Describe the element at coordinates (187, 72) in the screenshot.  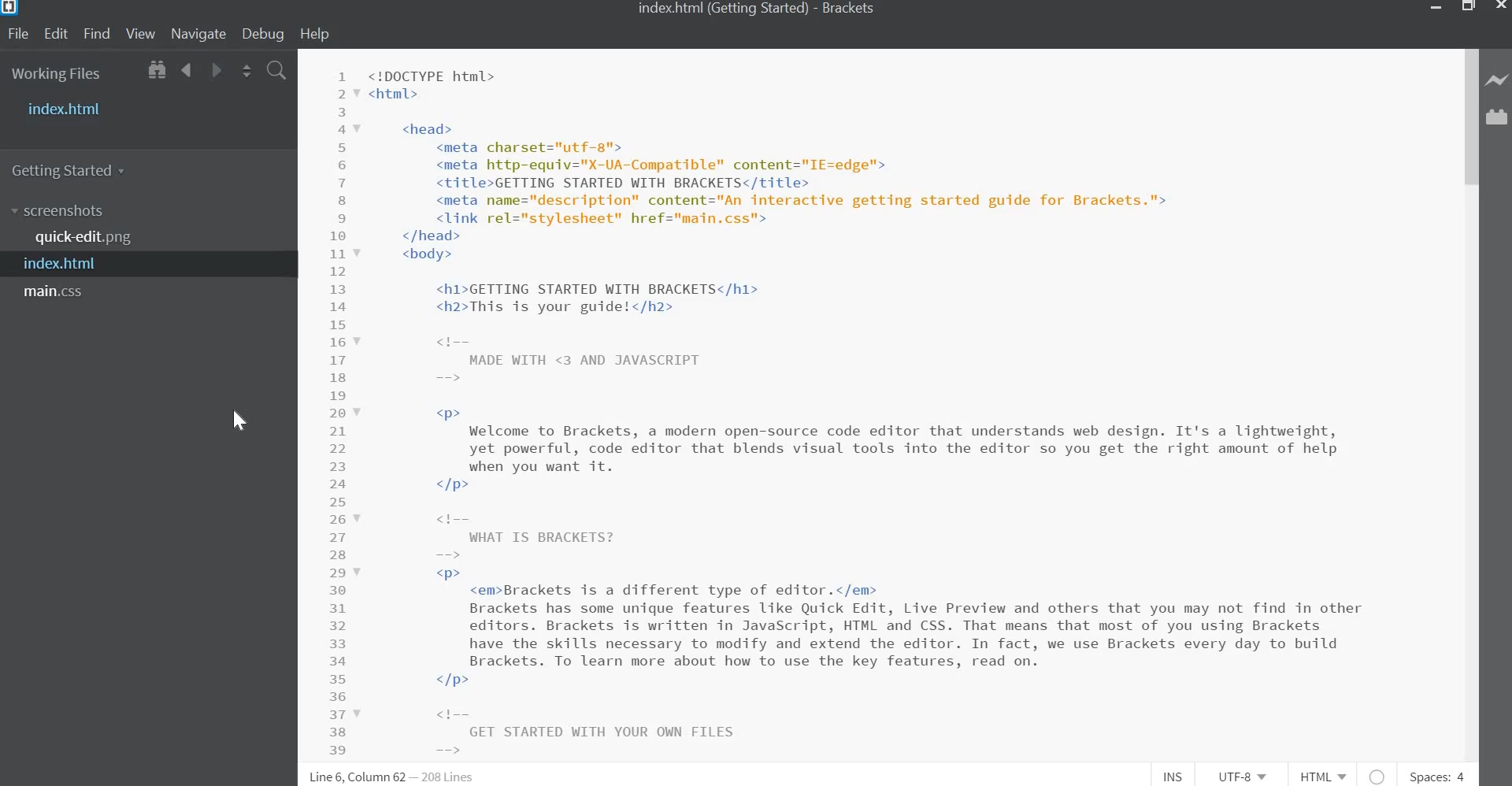
I see `Navigate backwards` at that location.